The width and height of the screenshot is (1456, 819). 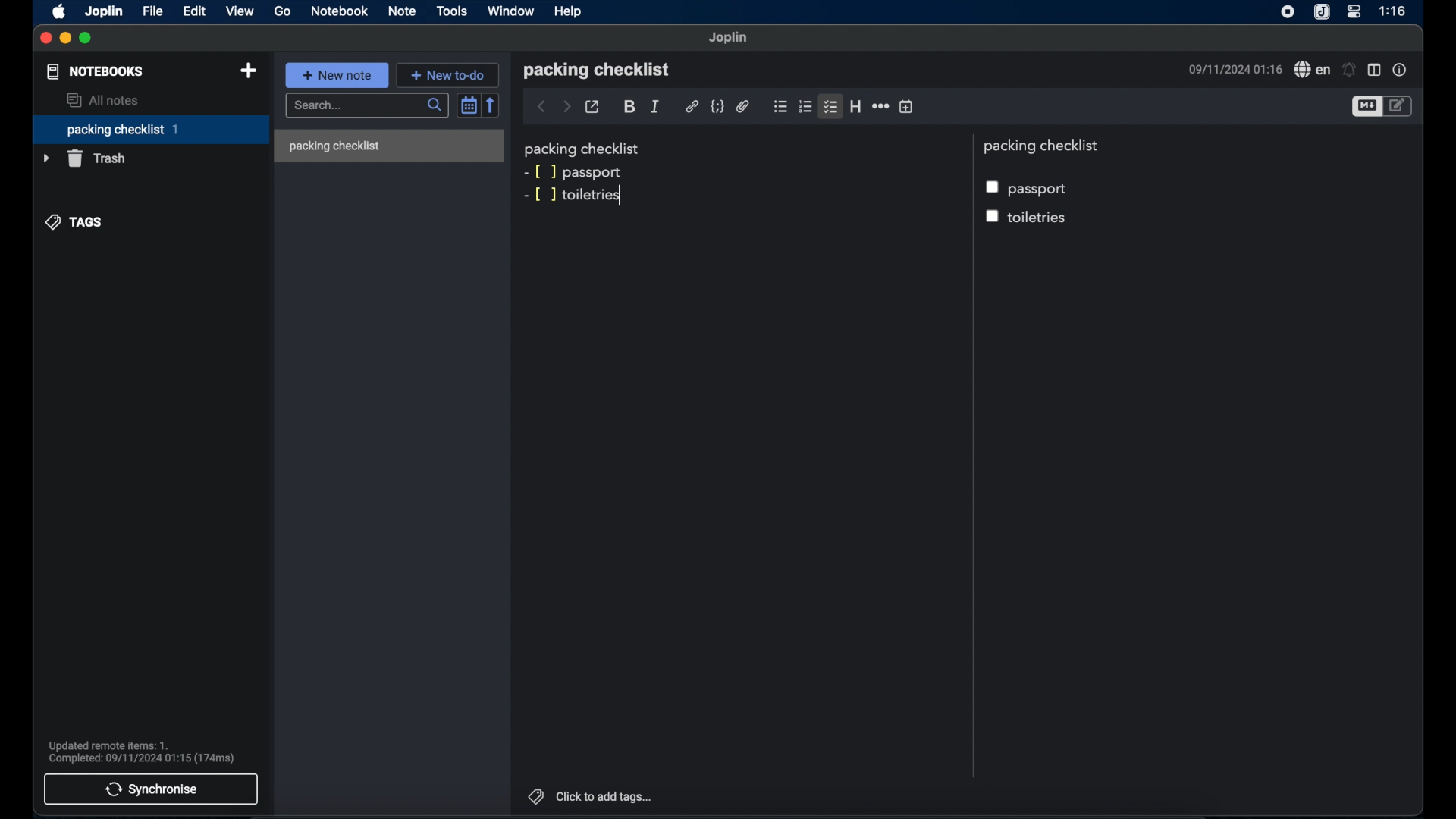 I want to click on new note, so click(x=337, y=75).